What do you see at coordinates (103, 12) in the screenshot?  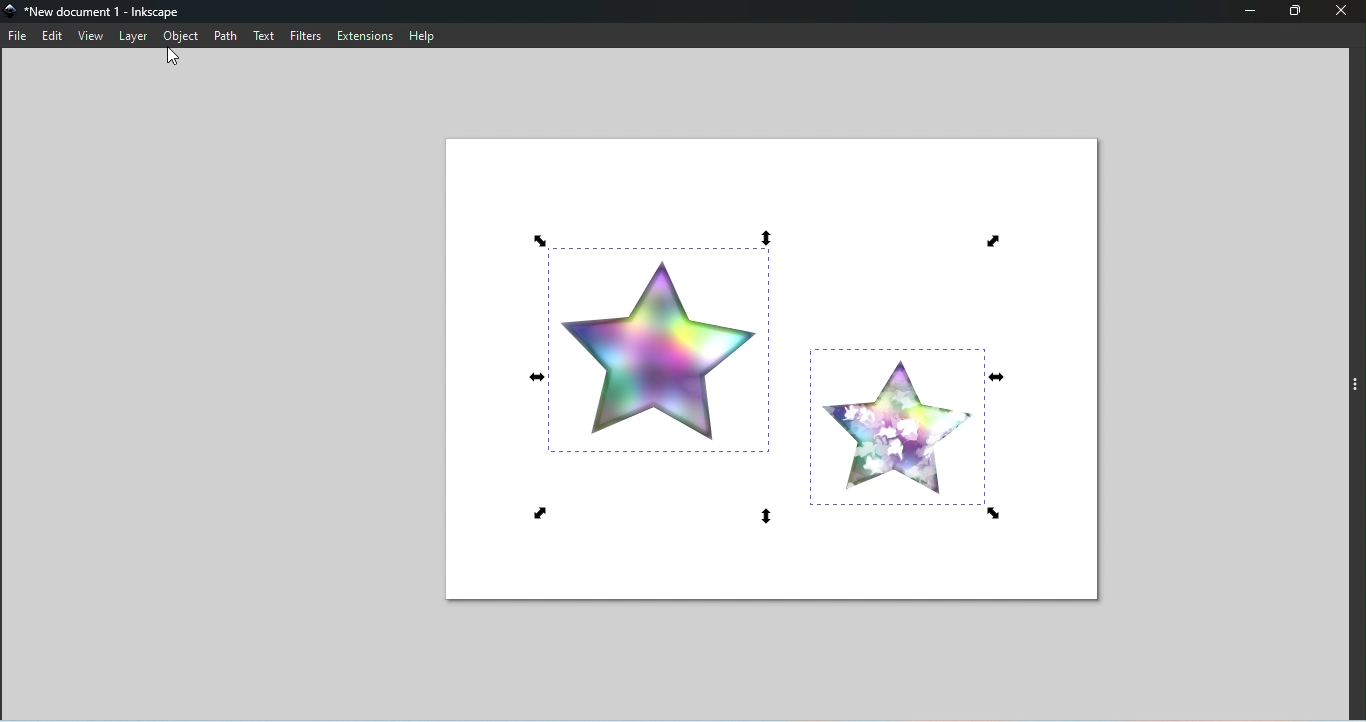 I see `File name` at bounding box center [103, 12].